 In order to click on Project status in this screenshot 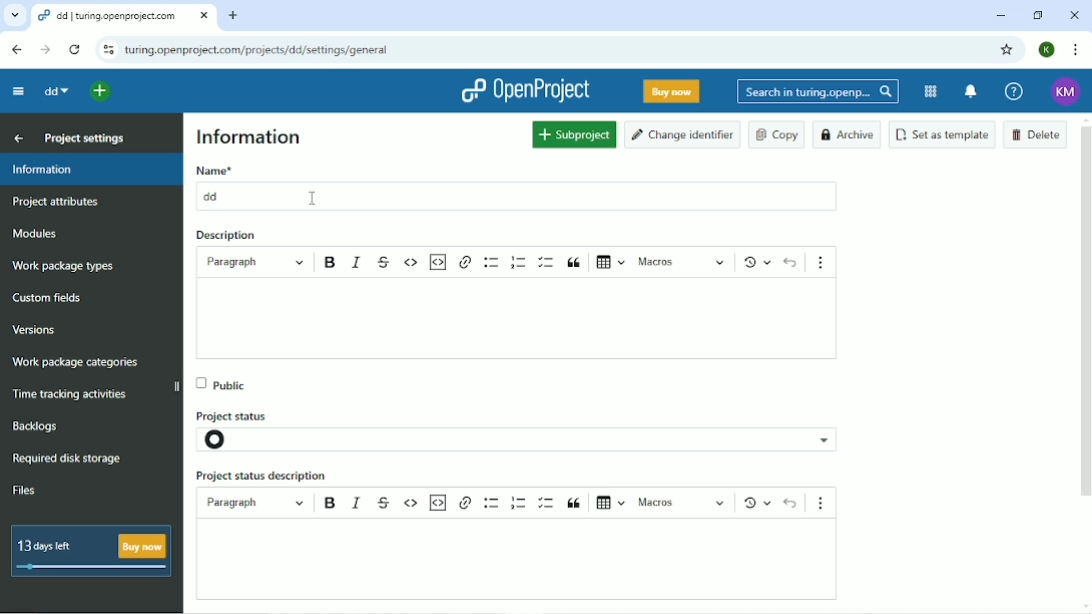, I will do `click(243, 411)`.